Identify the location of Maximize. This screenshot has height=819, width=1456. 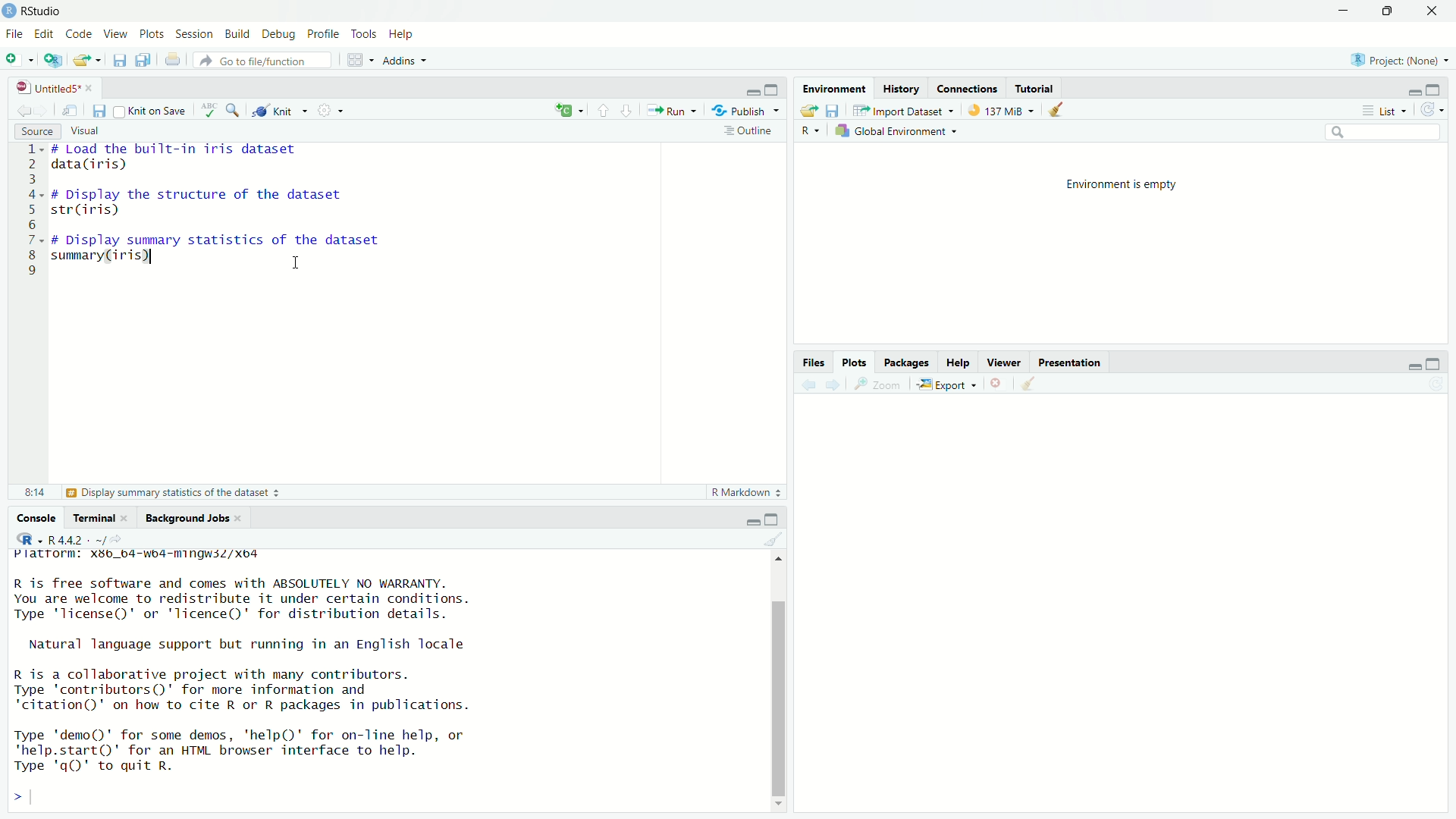
(1389, 10).